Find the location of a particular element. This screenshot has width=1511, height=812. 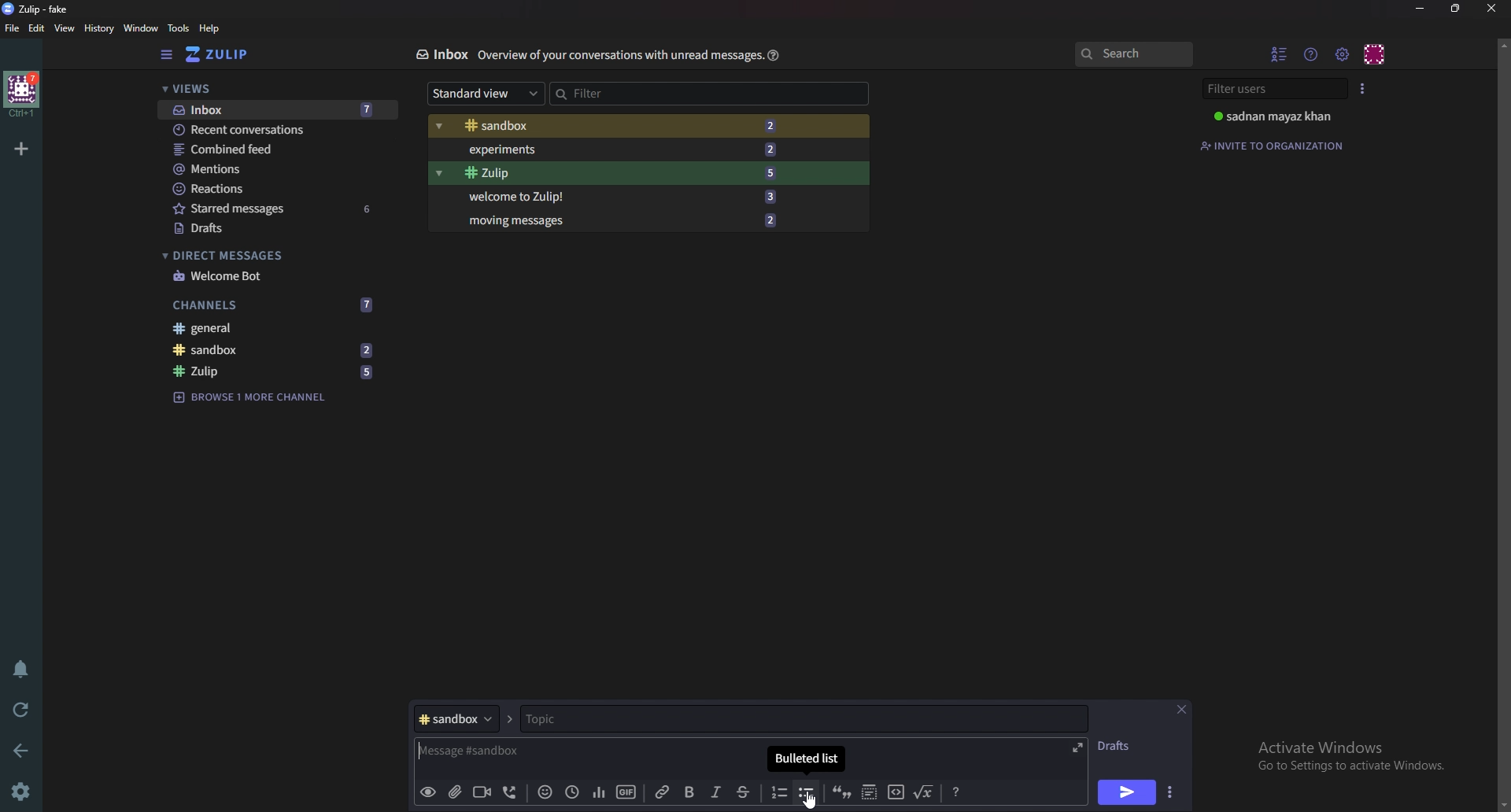

File is located at coordinates (13, 28).